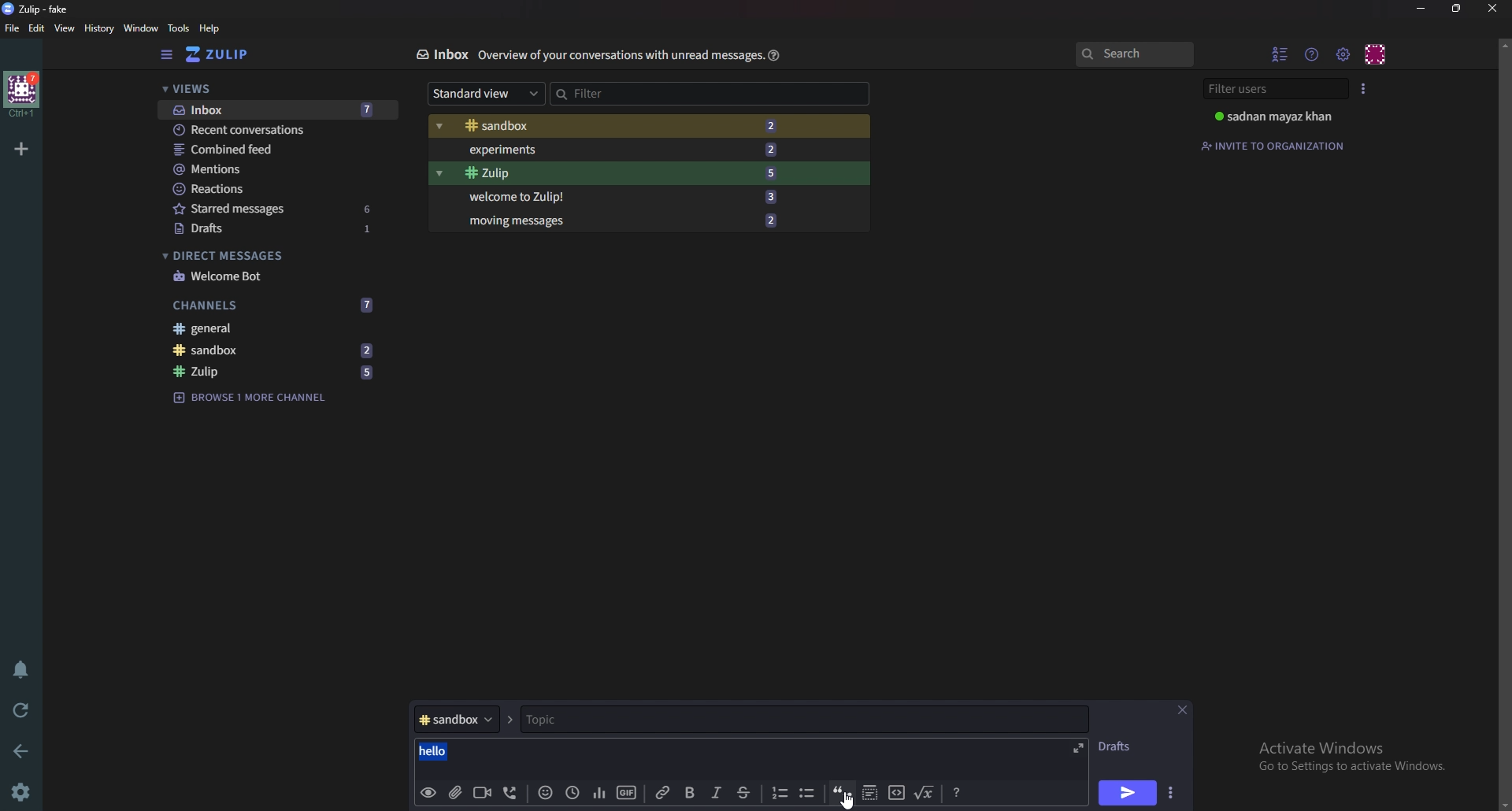 This screenshot has width=1512, height=811. Describe the element at coordinates (750, 793) in the screenshot. I see `Strike through` at that location.